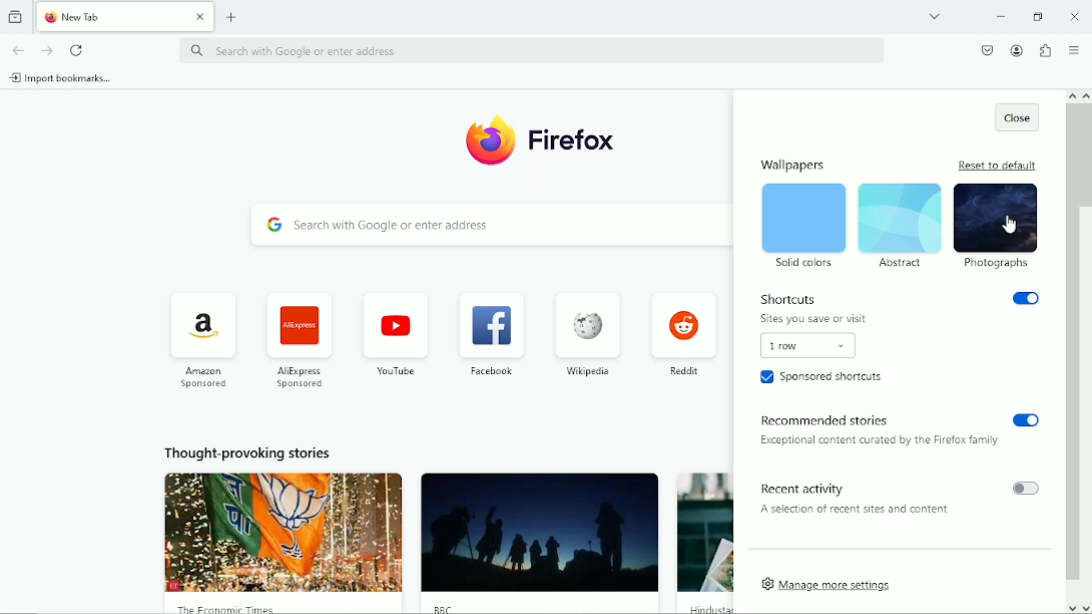  What do you see at coordinates (296, 340) in the screenshot?
I see `AliExpress` at bounding box center [296, 340].